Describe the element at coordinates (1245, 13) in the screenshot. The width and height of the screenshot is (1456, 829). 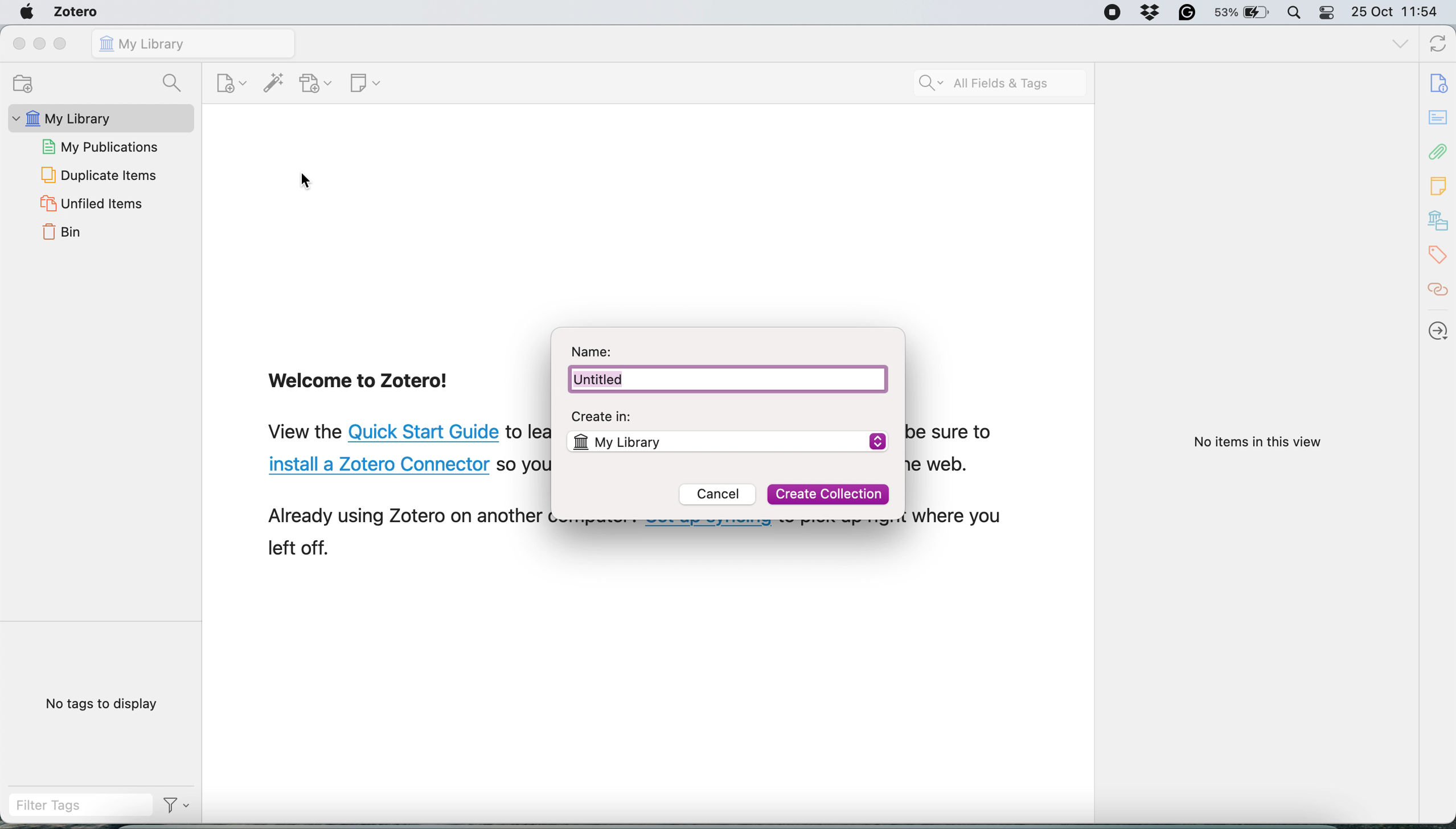
I see `53% battery` at that location.